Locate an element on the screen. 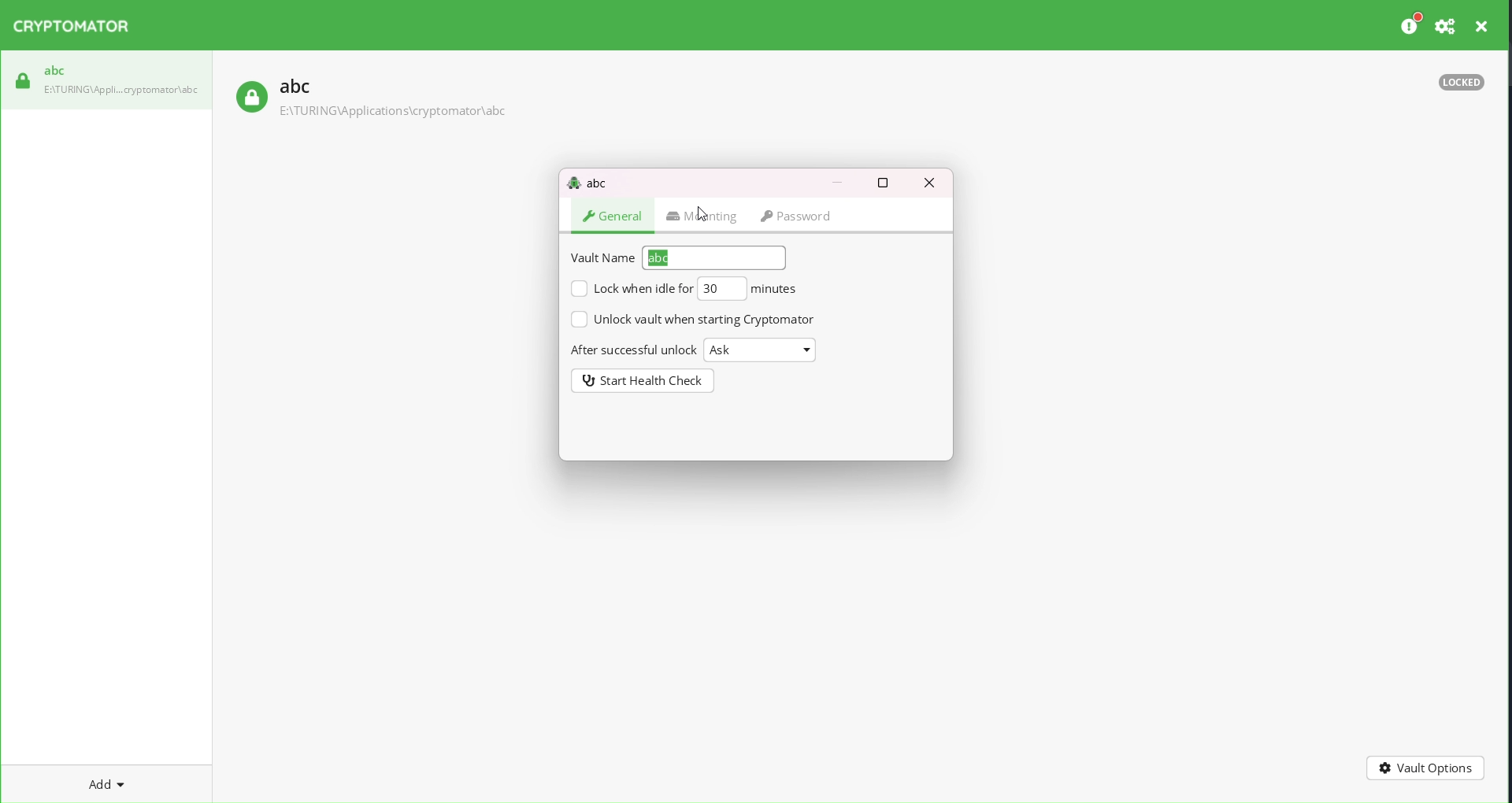 The width and height of the screenshot is (1512, 803). start health check is located at coordinates (643, 379).